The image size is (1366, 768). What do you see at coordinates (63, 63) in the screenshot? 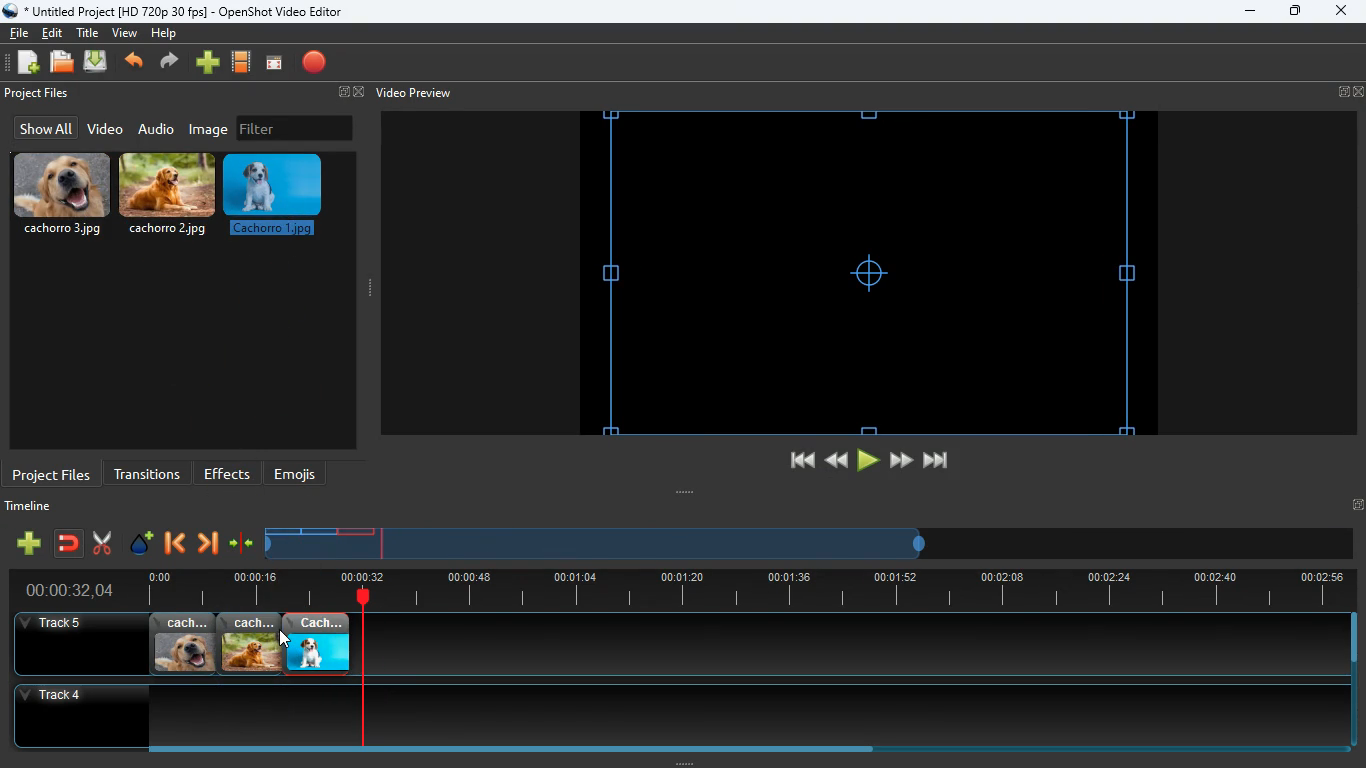
I see `files` at bounding box center [63, 63].